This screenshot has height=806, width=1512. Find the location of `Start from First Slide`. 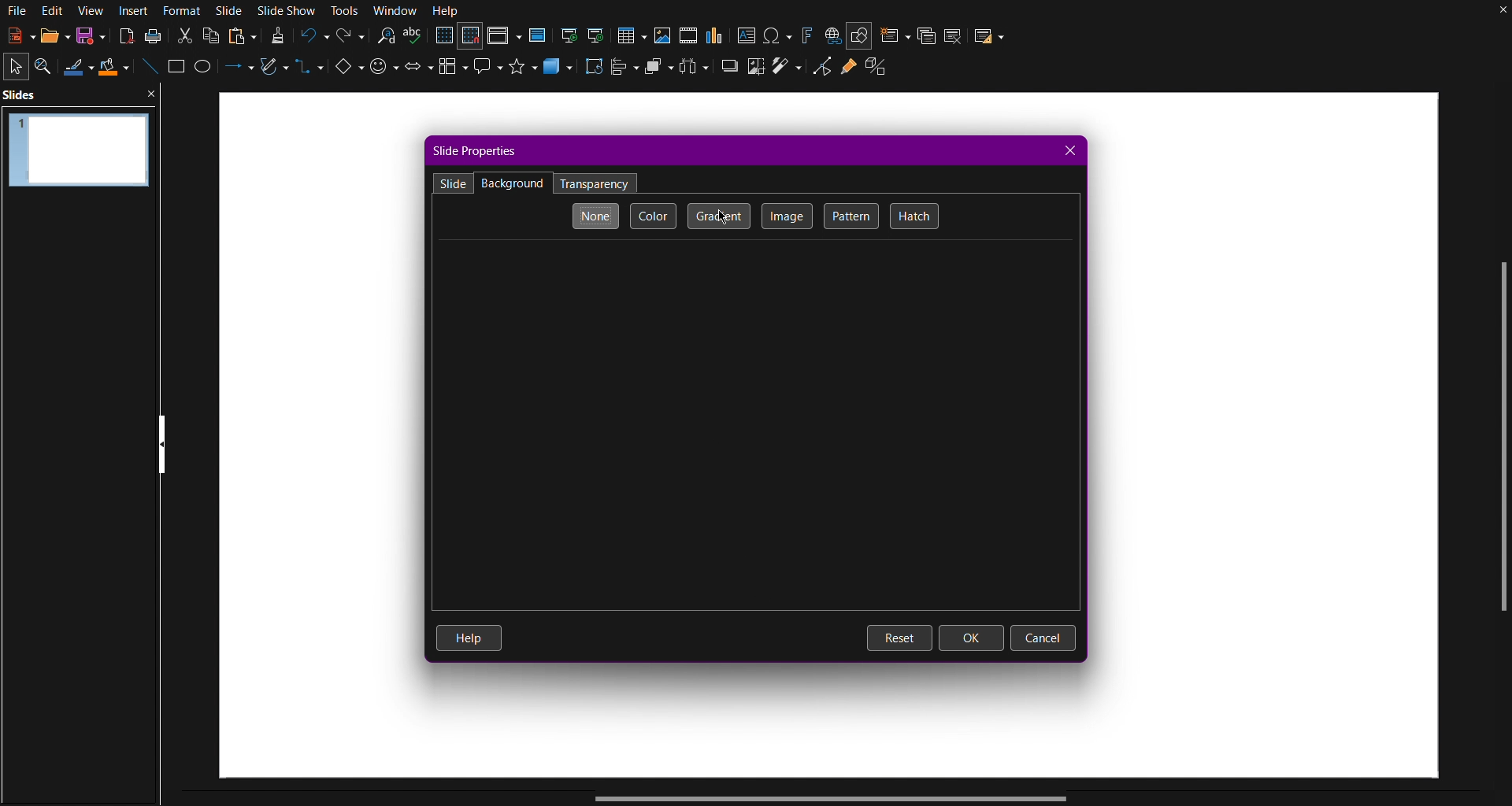

Start from First Slide is located at coordinates (569, 34).